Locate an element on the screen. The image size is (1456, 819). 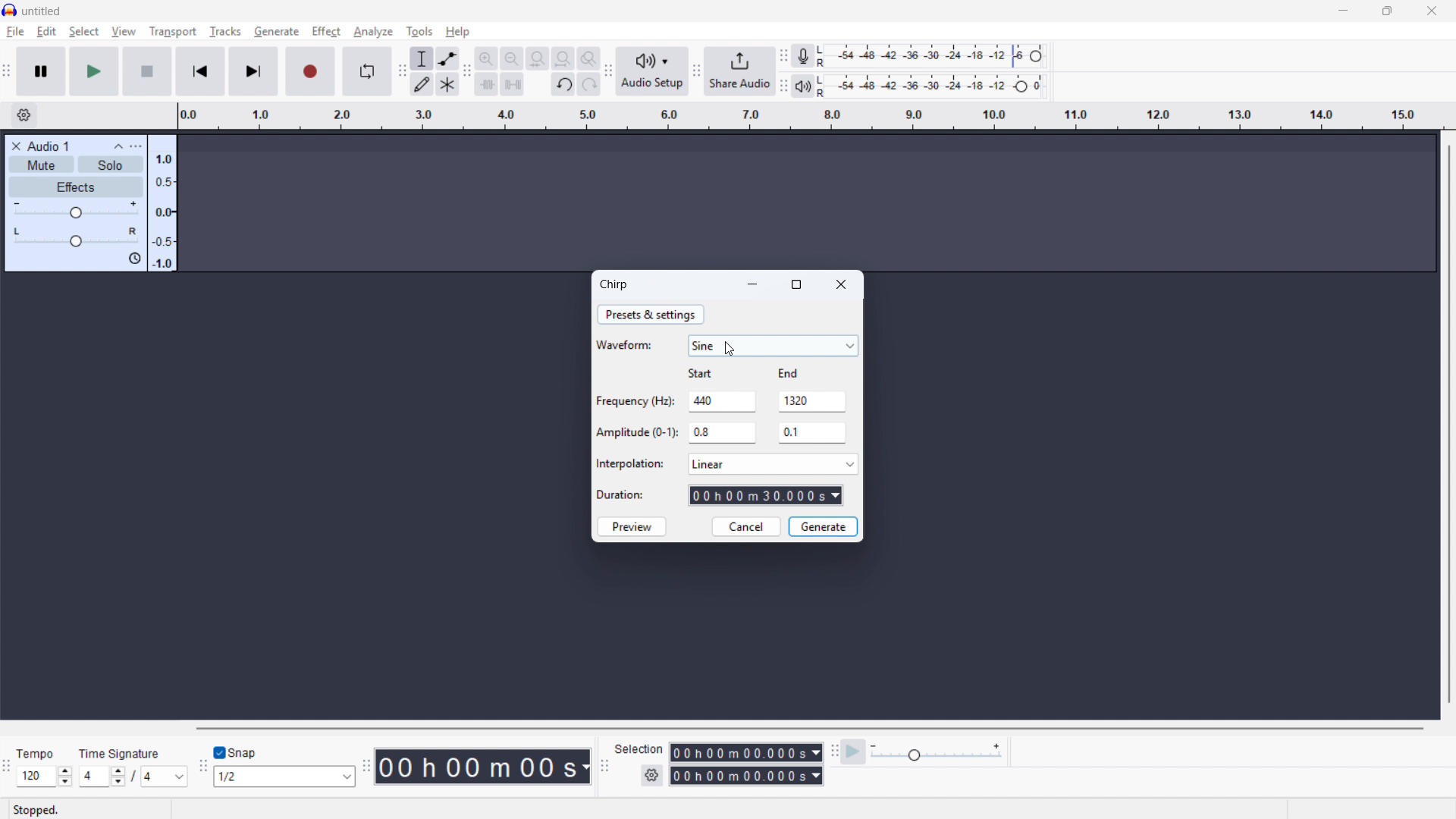
Share audio  is located at coordinates (741, 71).